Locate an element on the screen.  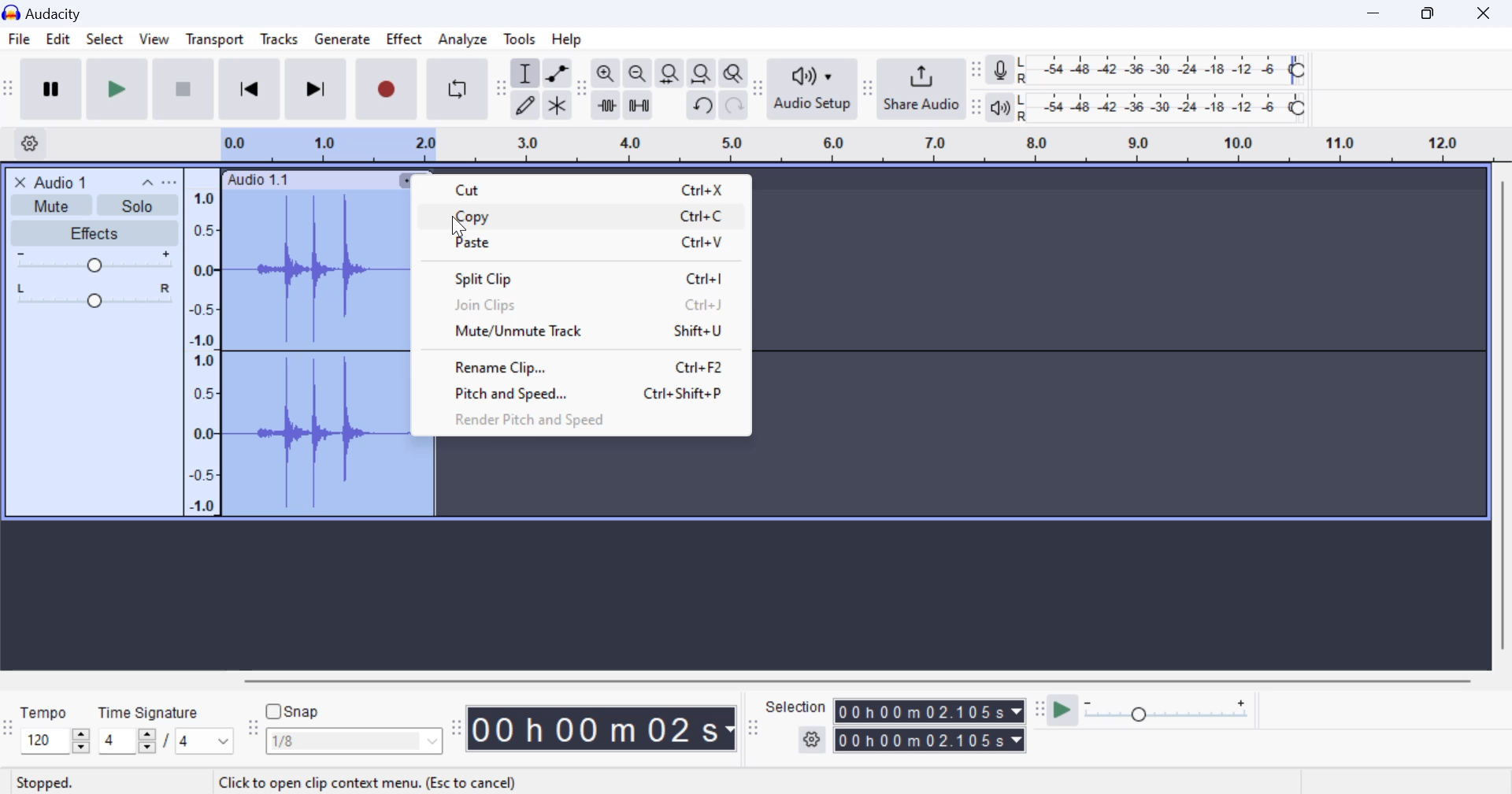
Settings is located at coordinates (32, 143).